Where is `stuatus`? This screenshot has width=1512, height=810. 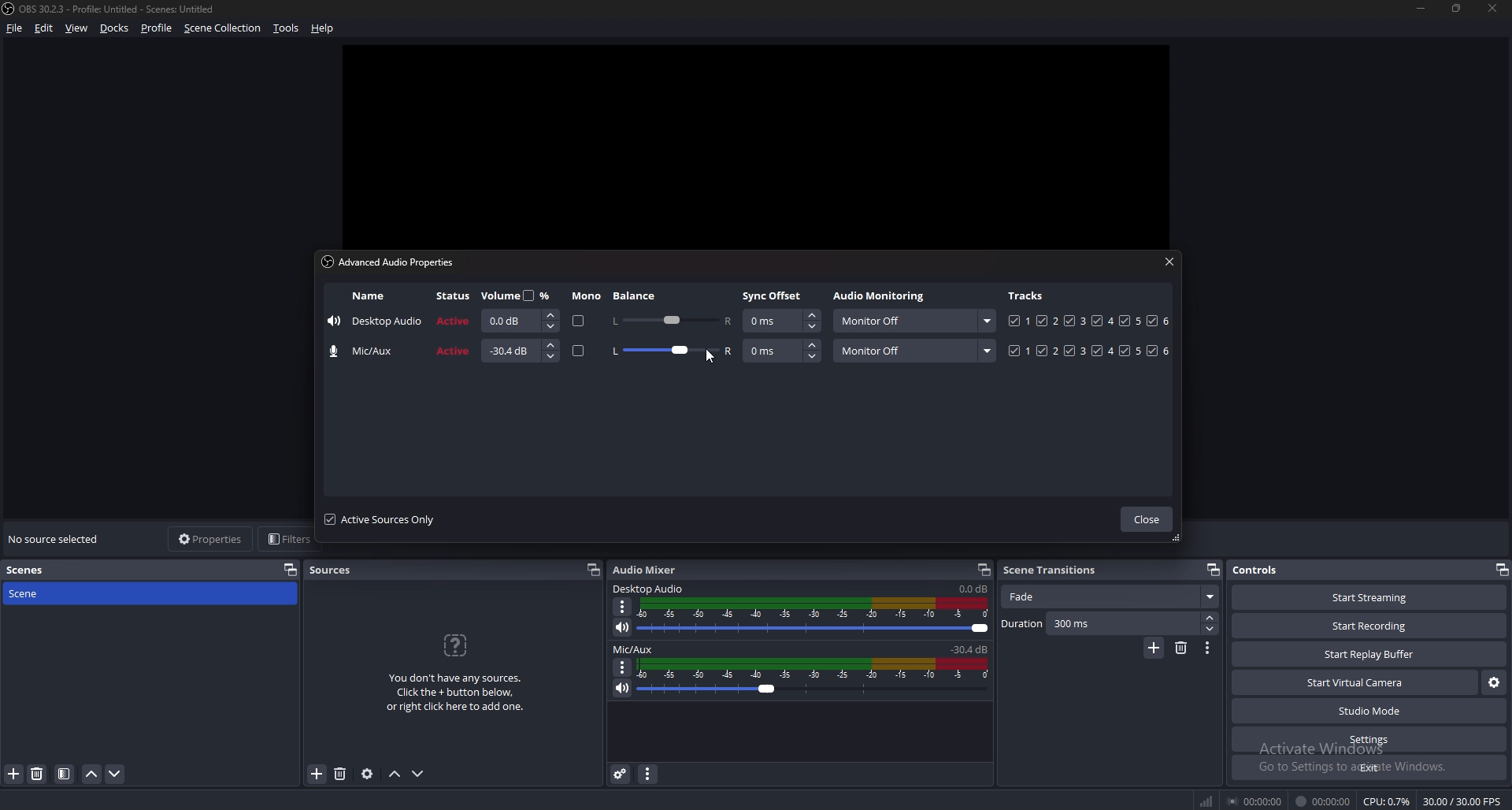 stuatus is located at coordinates (452, 351).